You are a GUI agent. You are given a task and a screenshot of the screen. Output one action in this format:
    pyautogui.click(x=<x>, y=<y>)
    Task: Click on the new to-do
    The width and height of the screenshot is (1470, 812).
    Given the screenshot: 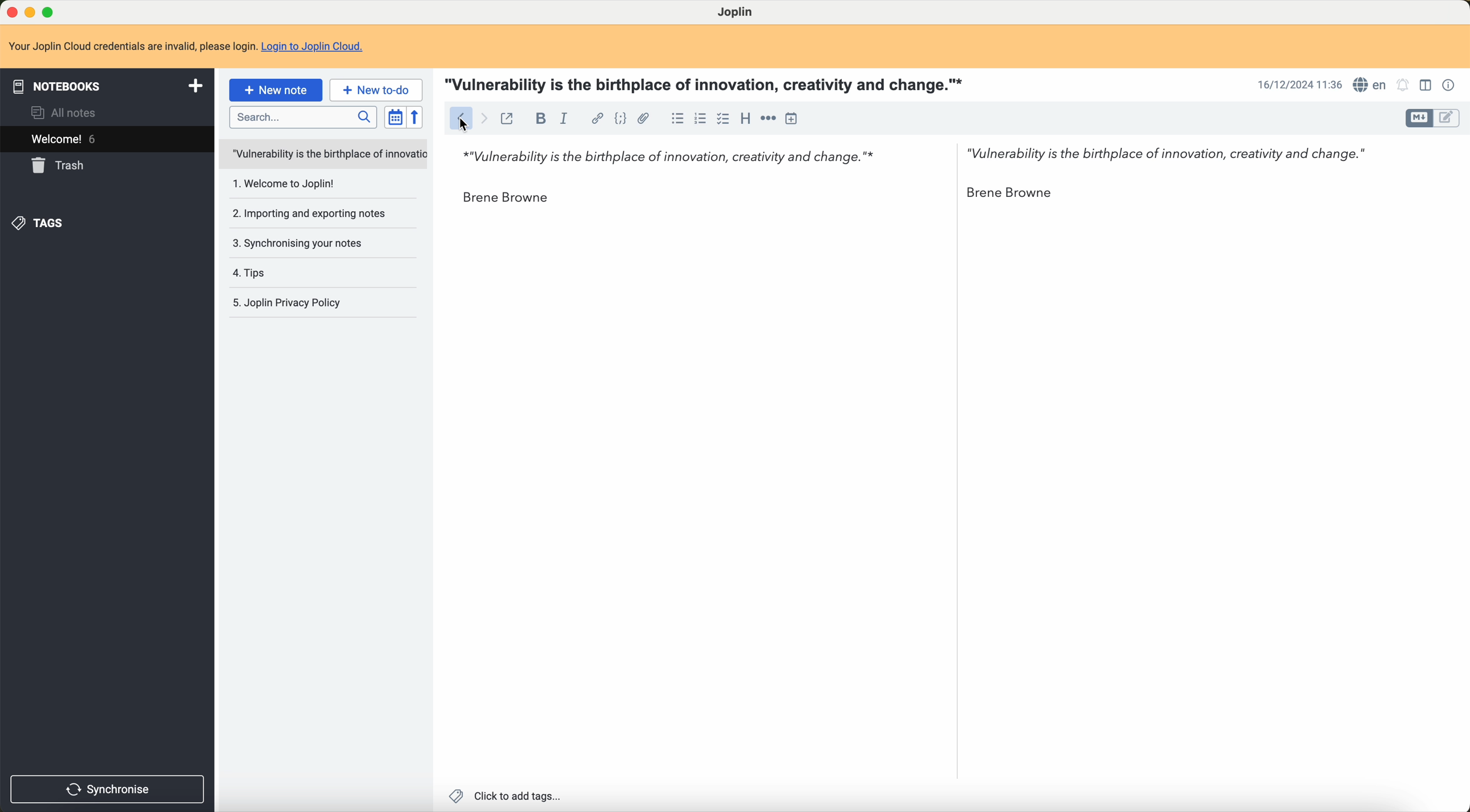 What is the action you would take?
    pyautogui.click(x=375, y=91)
    